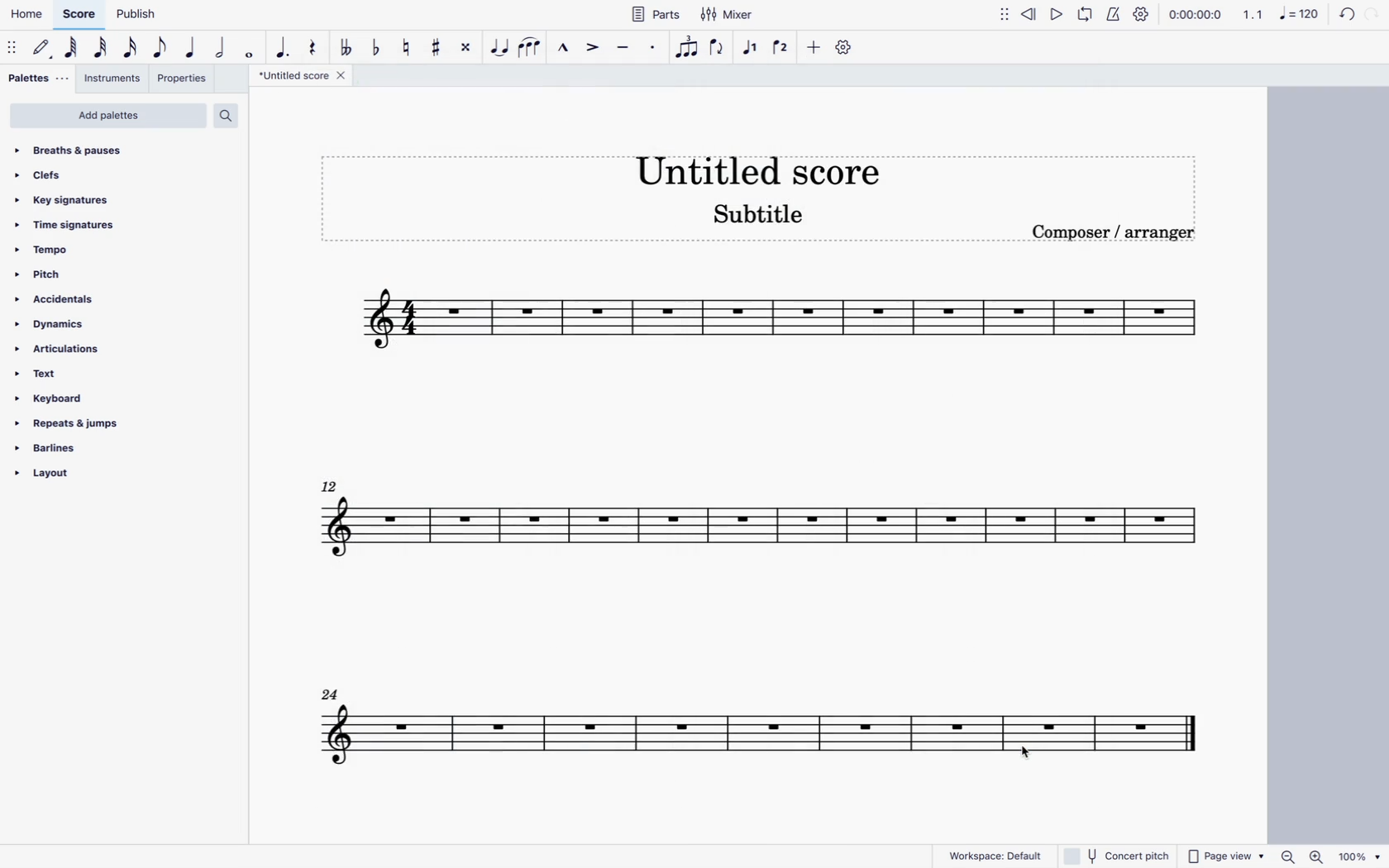  I want to click on settings, so click(845, 50).